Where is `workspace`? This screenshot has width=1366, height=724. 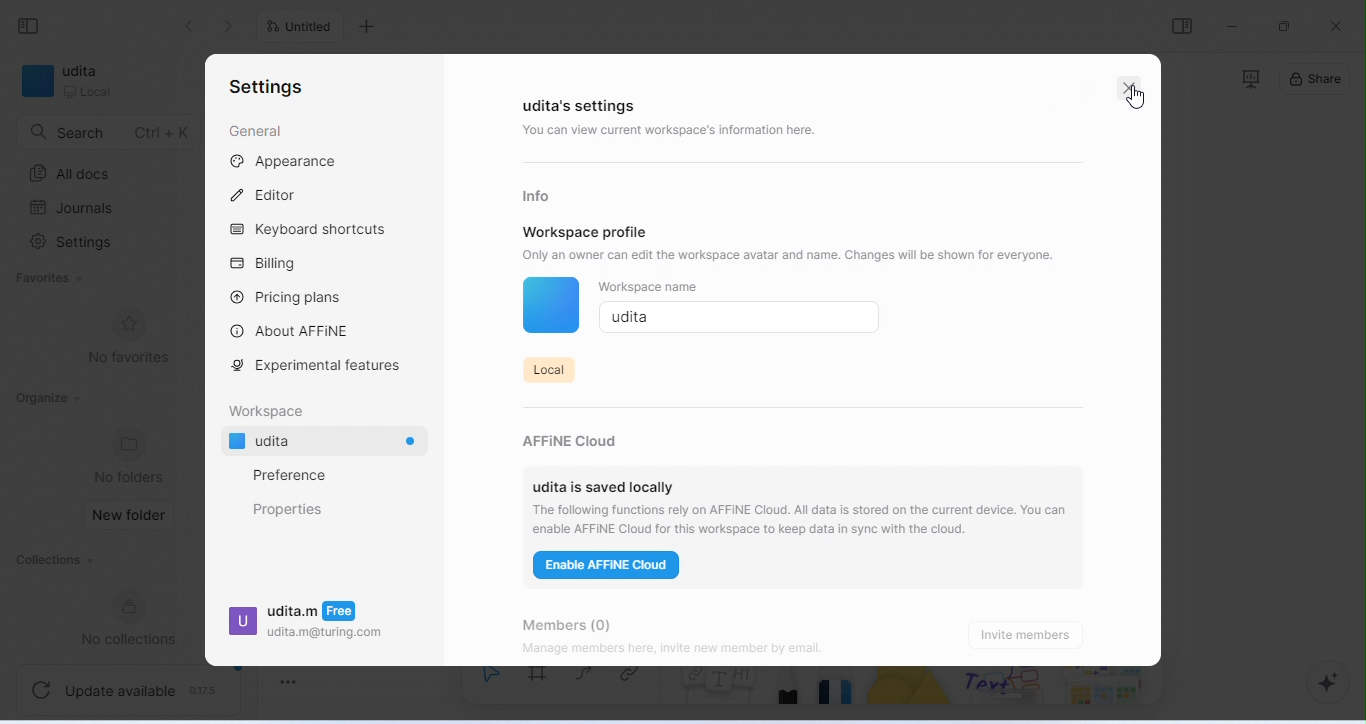
workspace is located at coordinates (271, 409).